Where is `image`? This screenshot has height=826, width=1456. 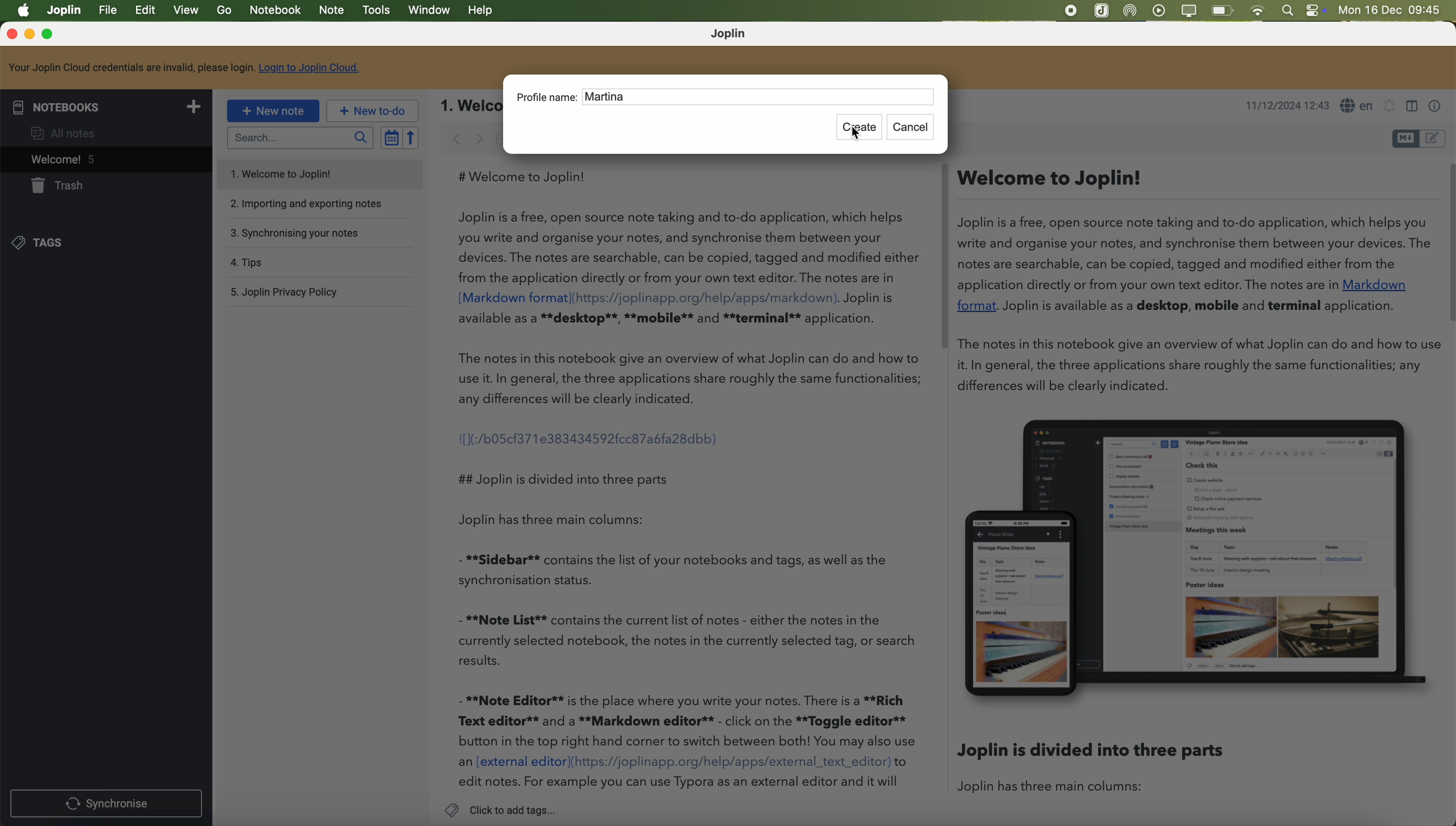 image is located at coordinates (1194, 559).